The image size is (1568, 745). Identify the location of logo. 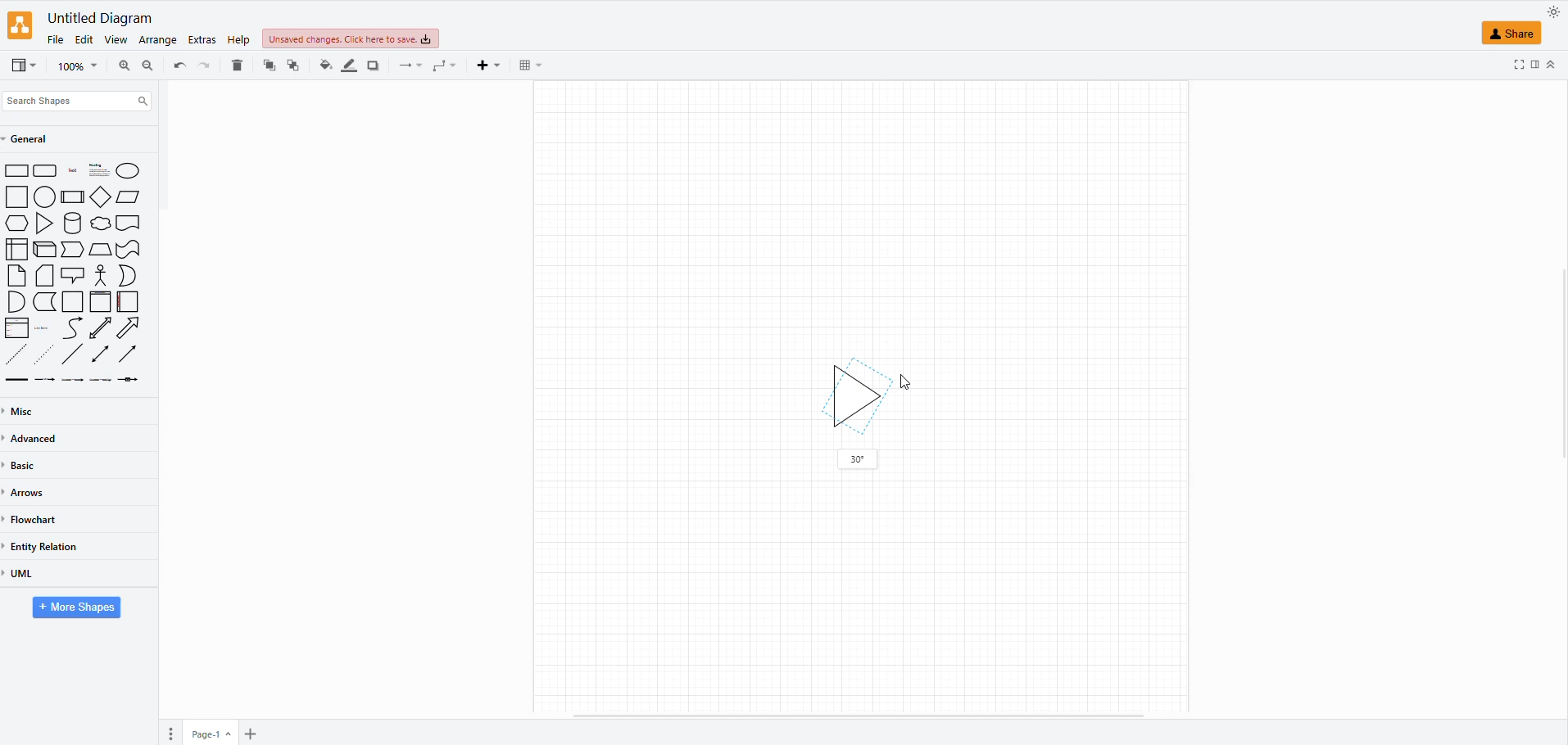
(21, 26).